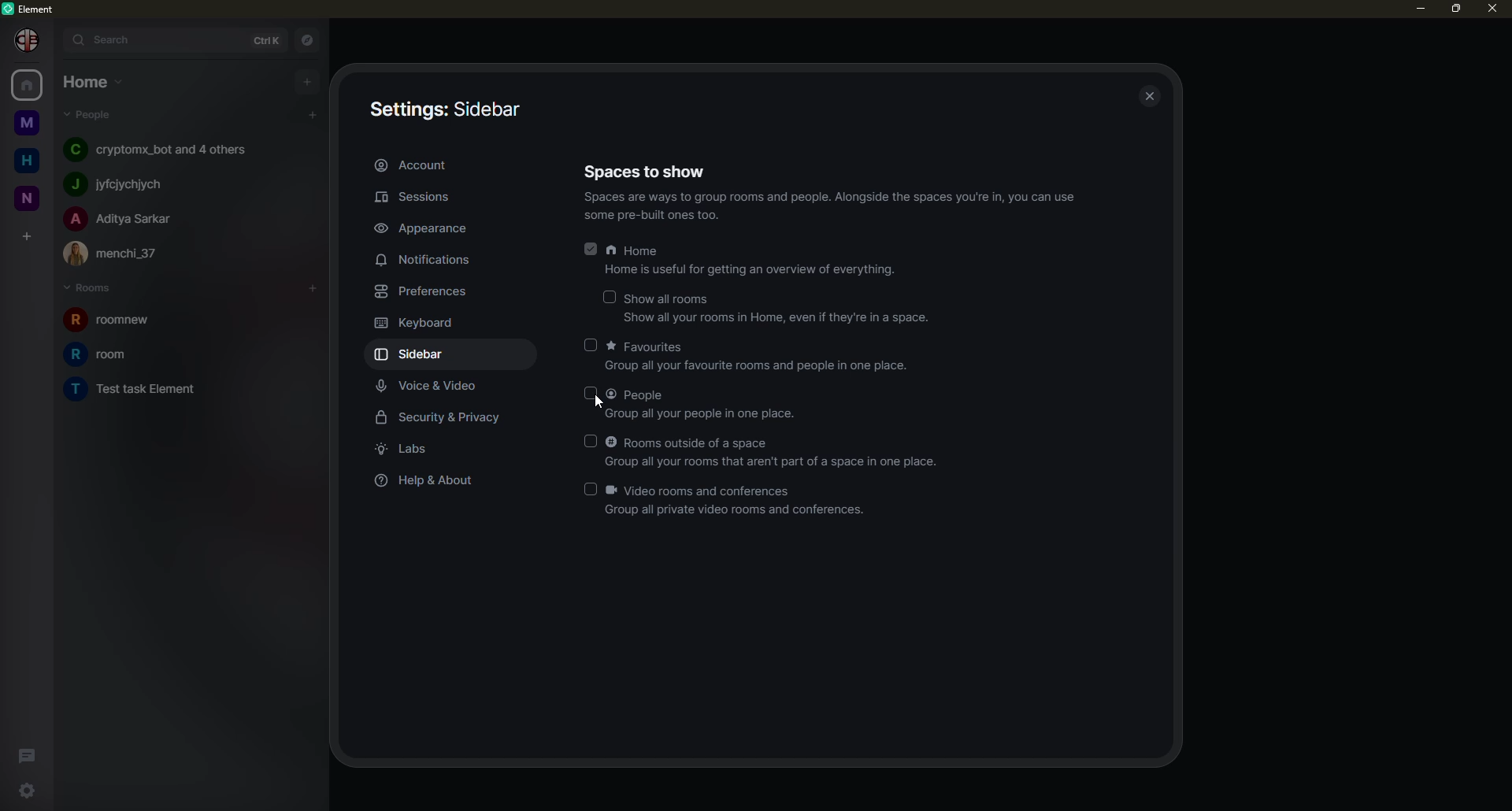 This screenshot has height=811, width=1512. I want to click on info, so click(837, 206).